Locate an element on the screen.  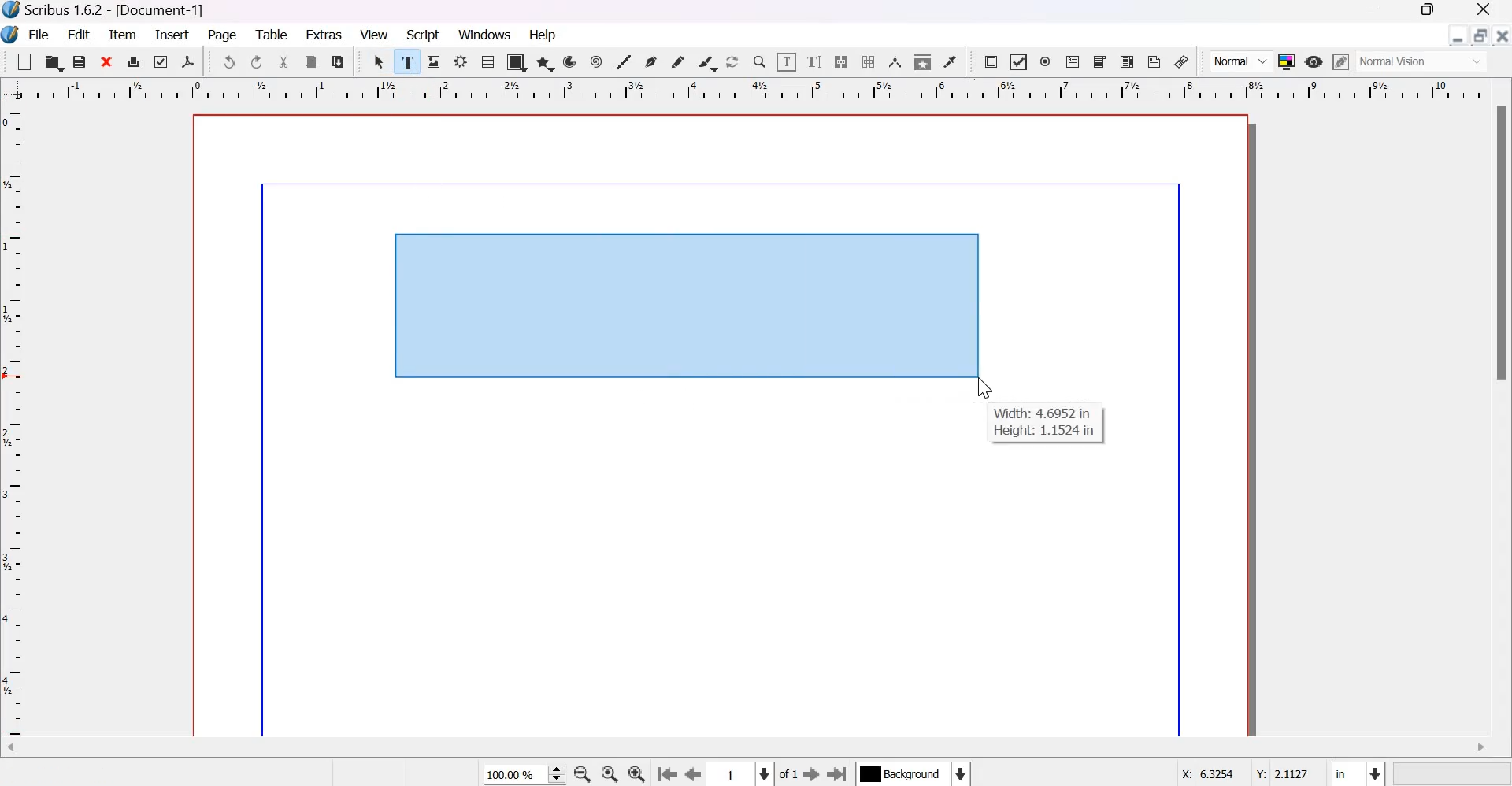
save is located at coordinates (80, 61).